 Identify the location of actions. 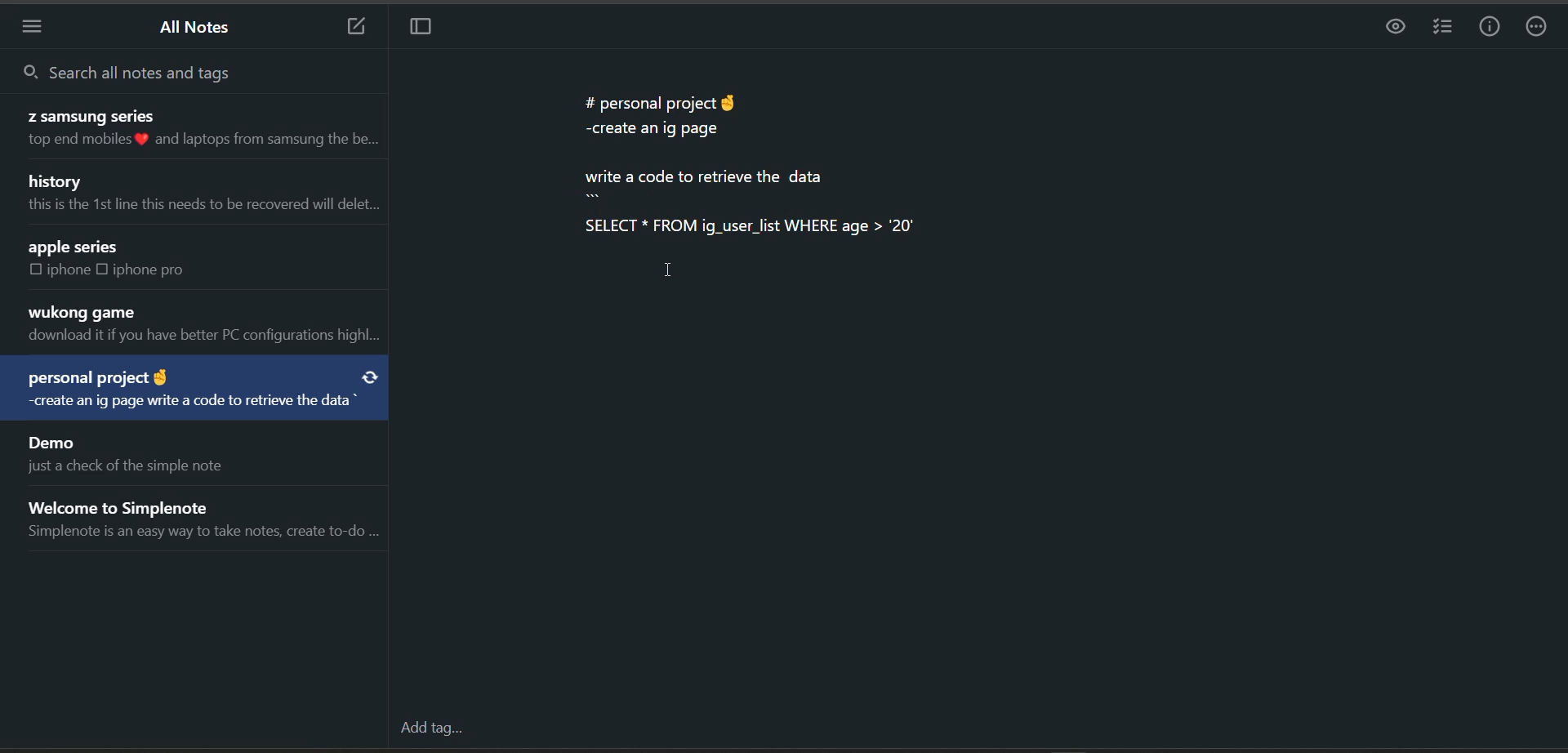
(1539, 29).